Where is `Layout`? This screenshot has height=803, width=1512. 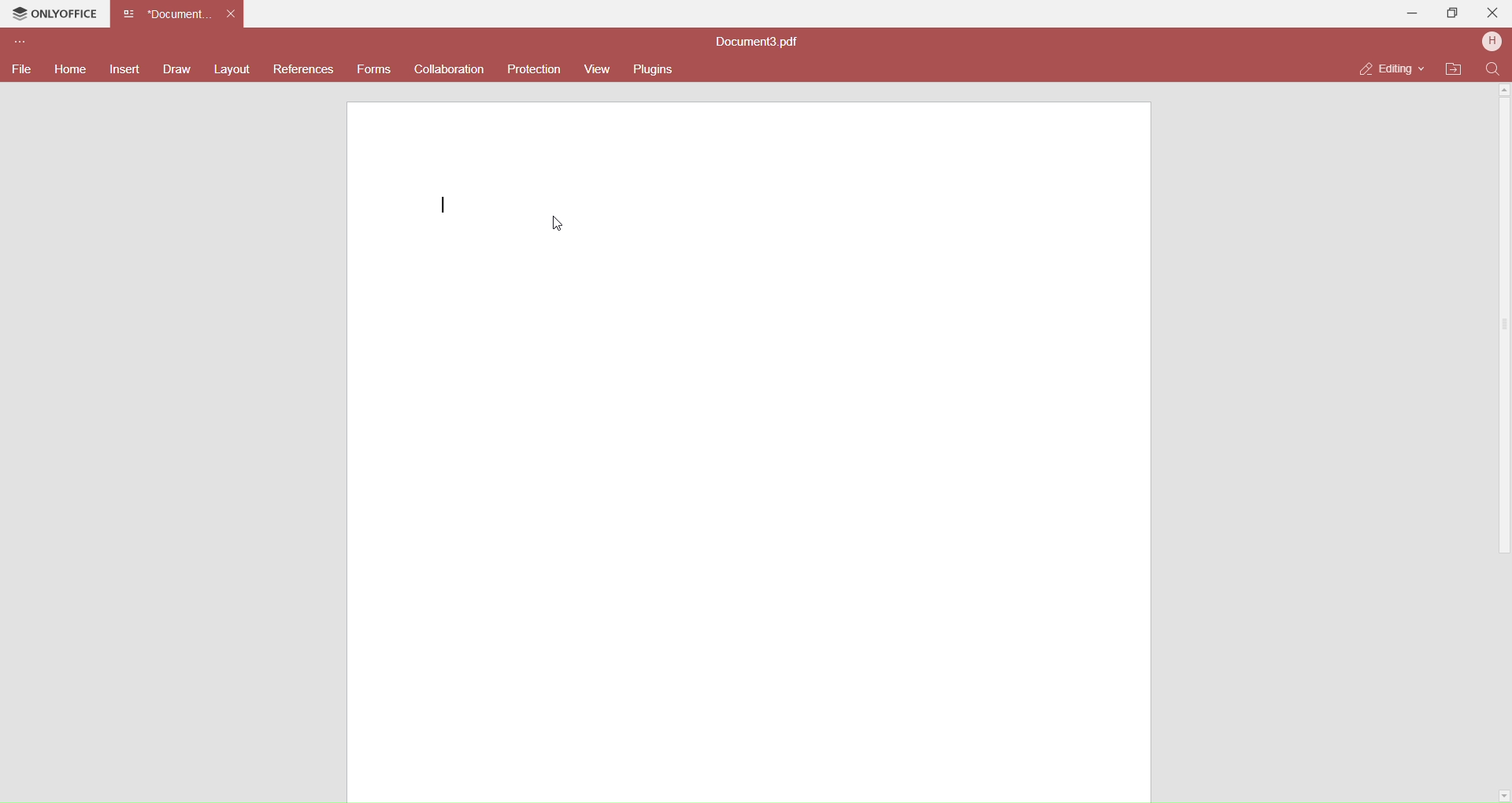 Layout is located at coordinates (232, 69).